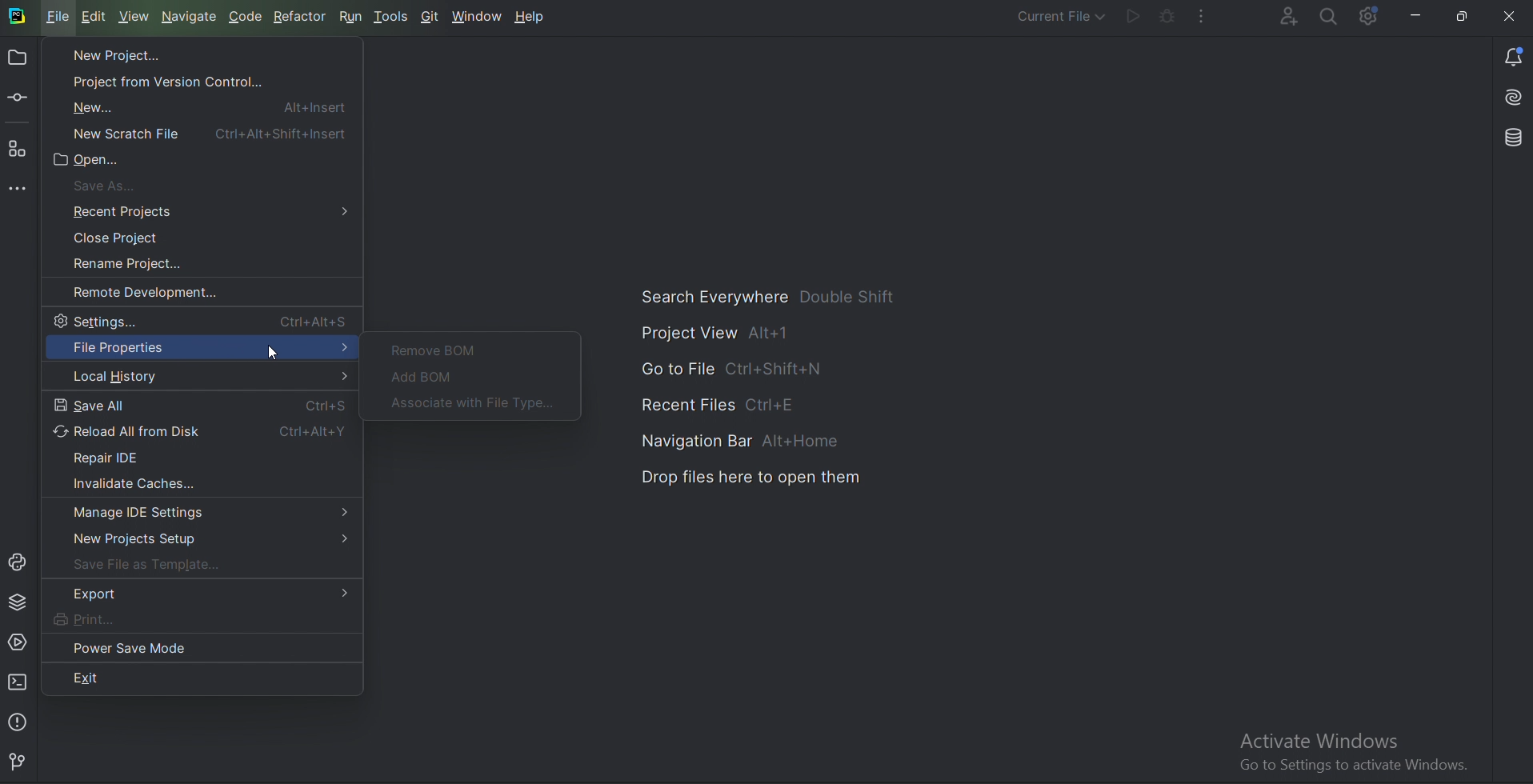 The width and height of the screenshot is (1533, 784). What do you see at coordinates (1206, 16) in the screenshot?
I see `More Actions` at bounding box center [1206, 16].